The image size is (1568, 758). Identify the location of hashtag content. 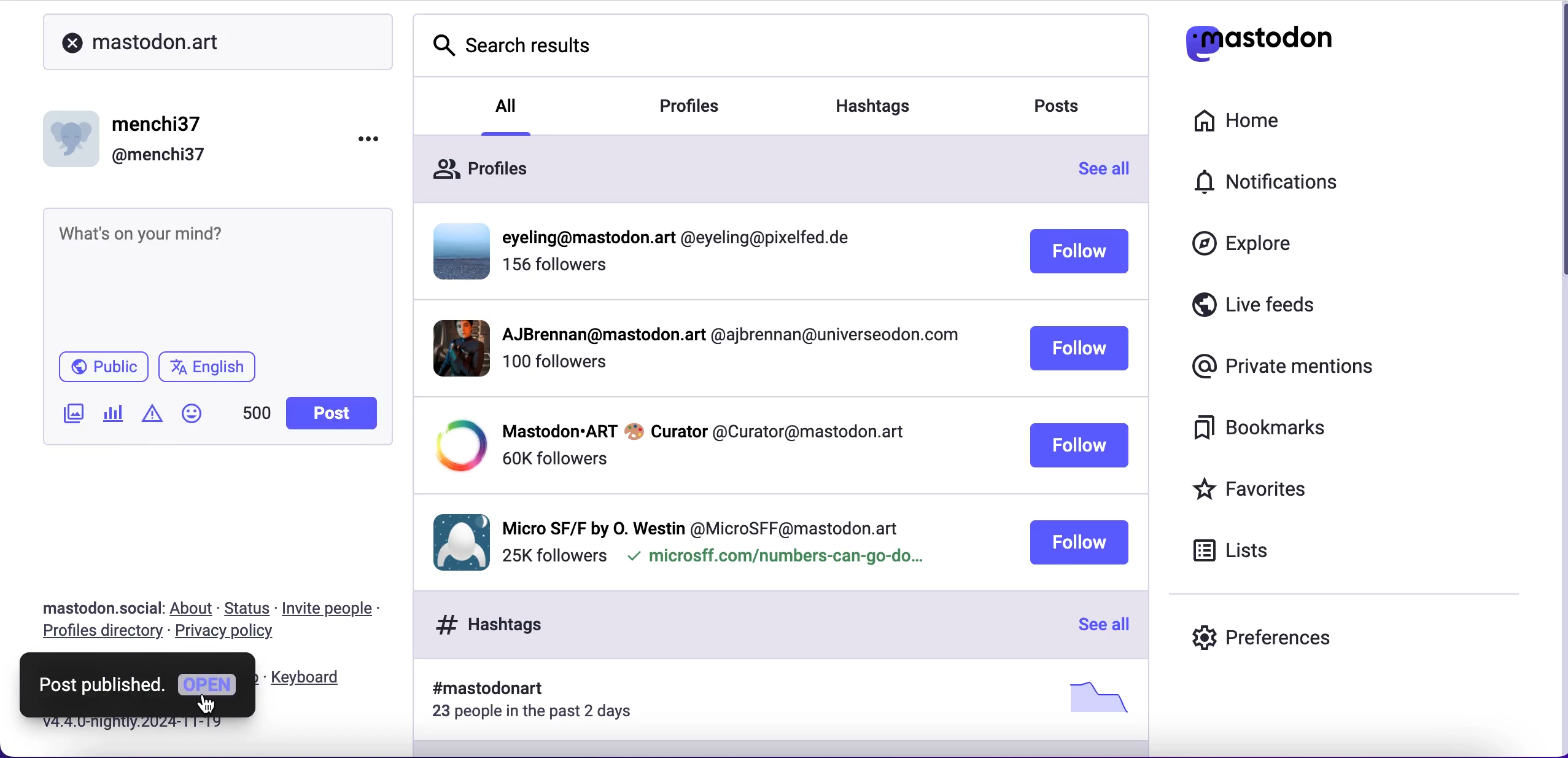
(100, 366).